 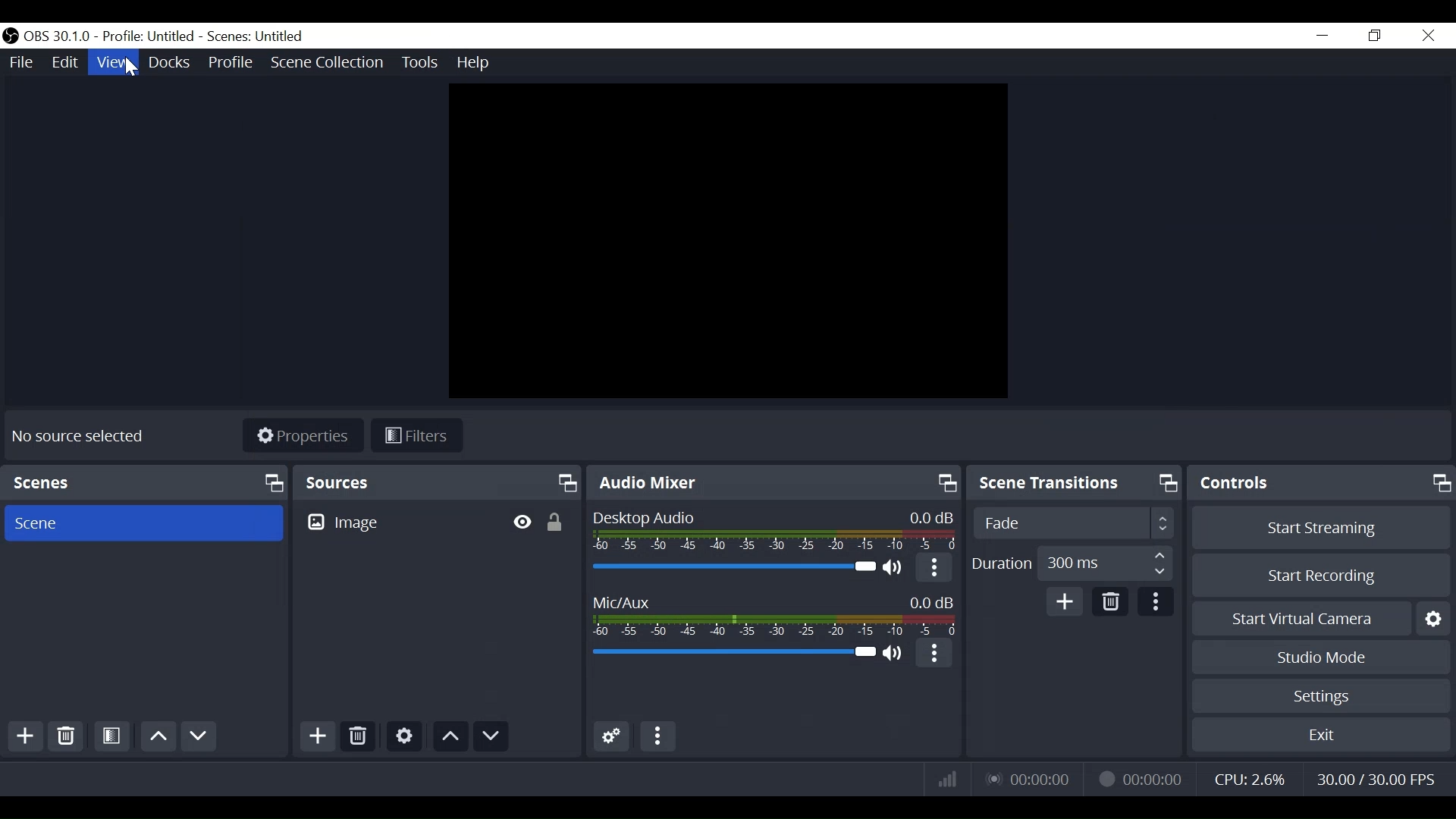 I want to click on Advanced Audio Settings, so click(x=611, y=736).